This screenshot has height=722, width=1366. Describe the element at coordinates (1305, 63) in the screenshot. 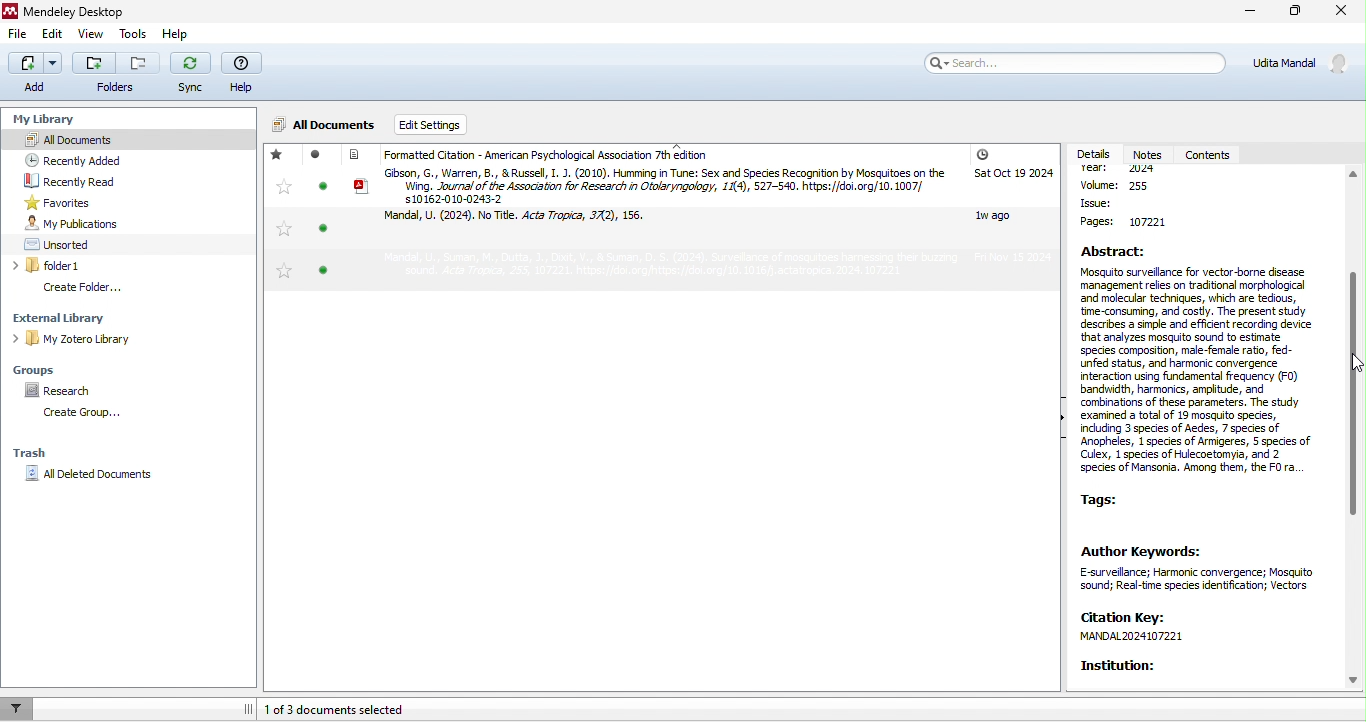

I see `Udita Mandal` at that location.